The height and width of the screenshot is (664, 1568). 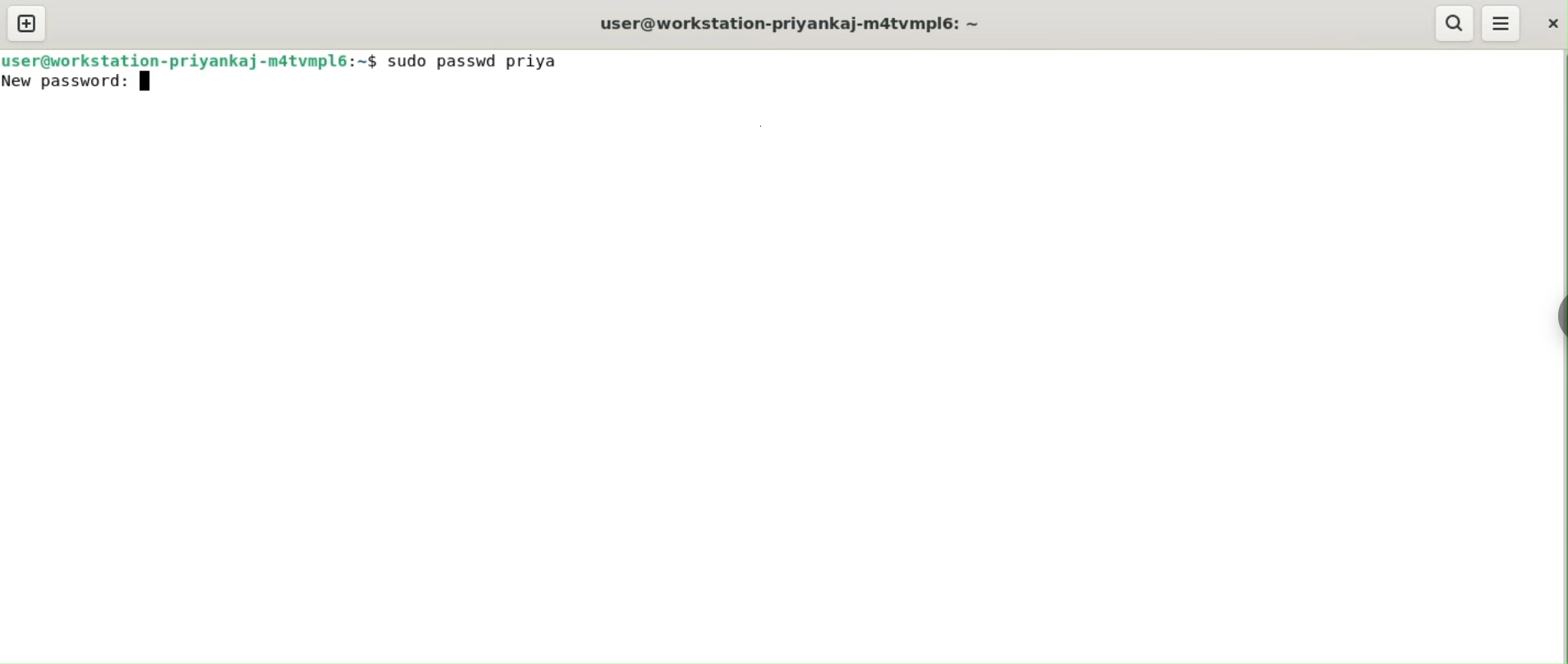 I want to click on new tab, so click(x=26, y=23).